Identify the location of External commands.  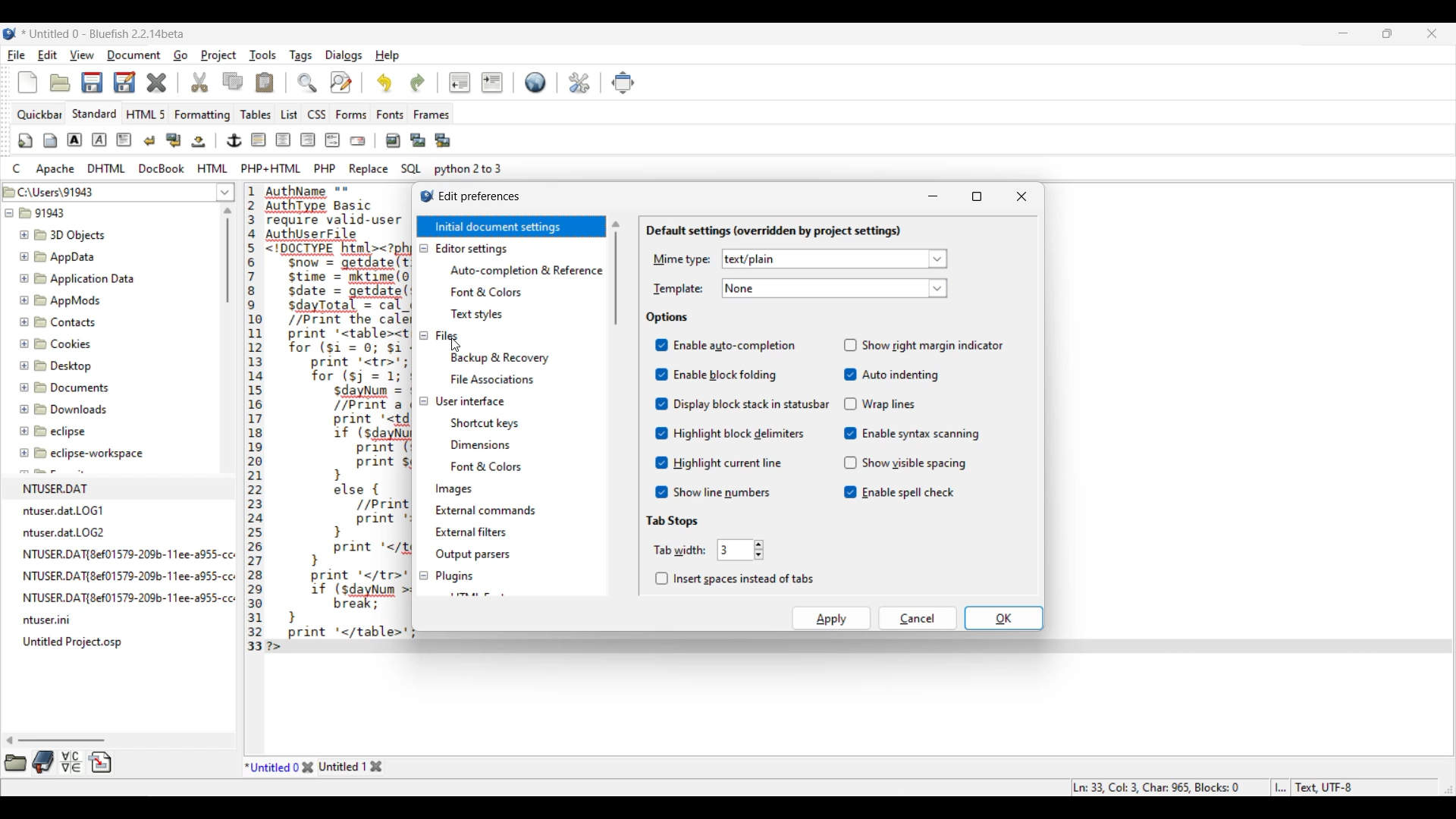
(487, 510).